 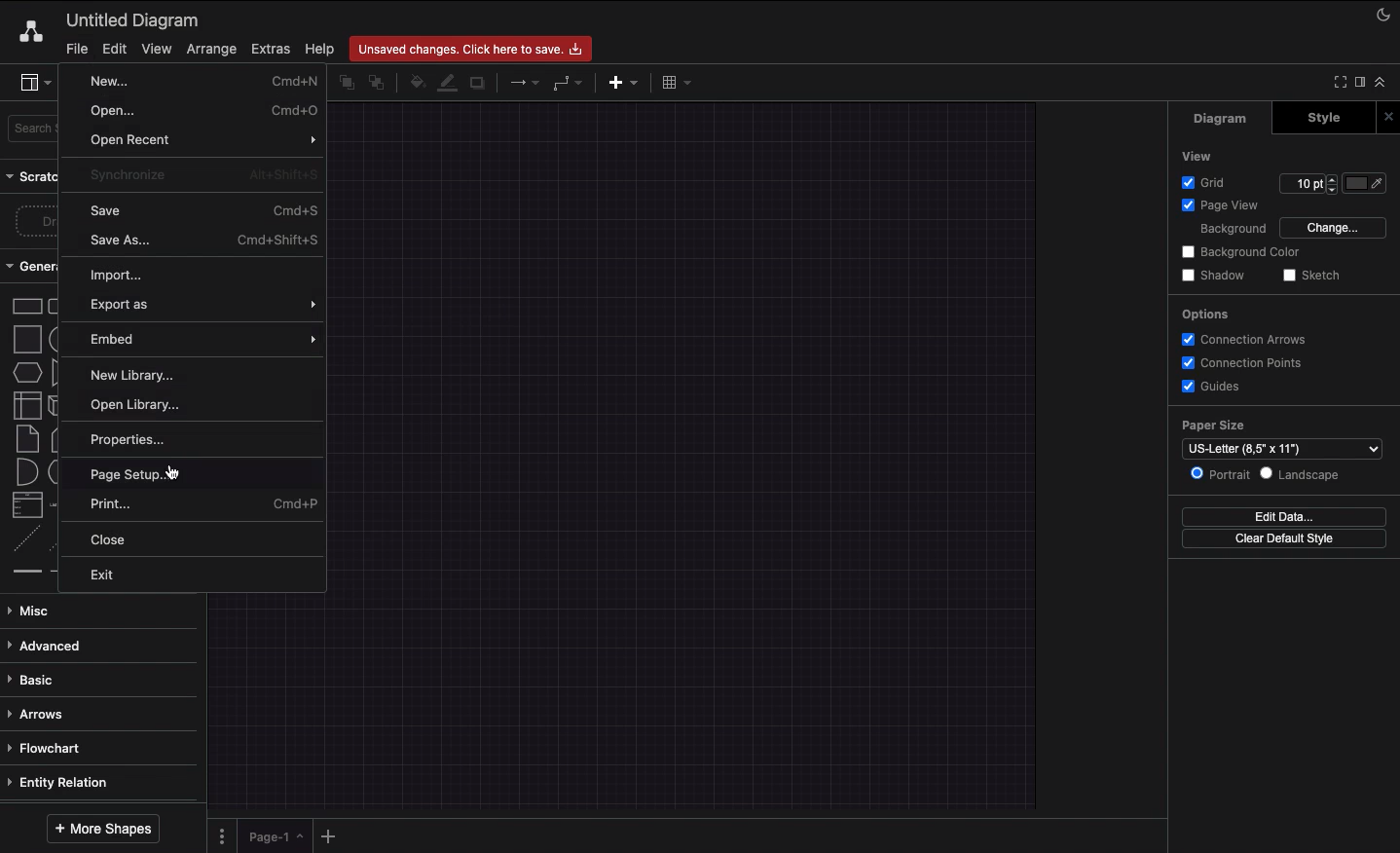 I want to click on To front, so click(x=346, y=83).